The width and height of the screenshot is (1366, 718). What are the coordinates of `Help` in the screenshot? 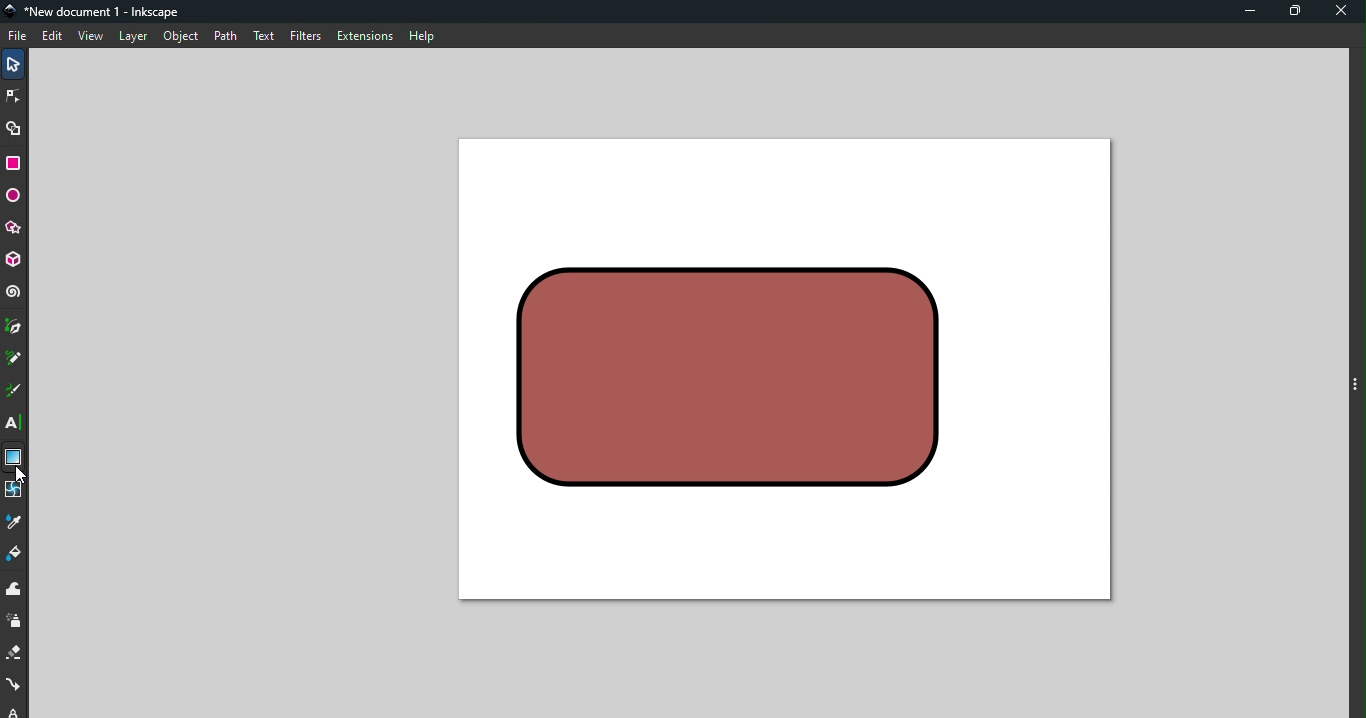 It's located at (421, 33).